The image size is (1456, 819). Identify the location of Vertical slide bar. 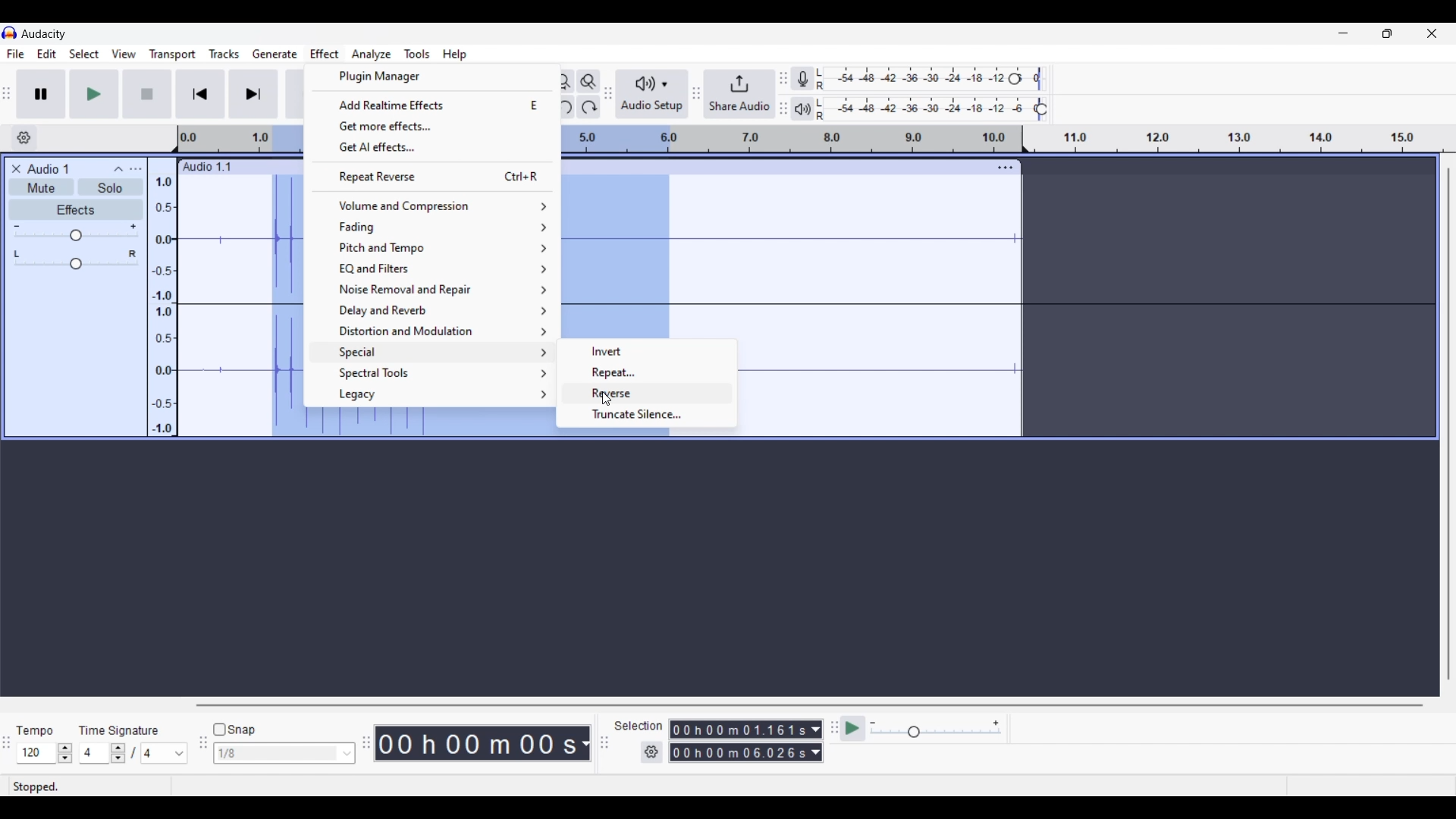
(1448, 423).